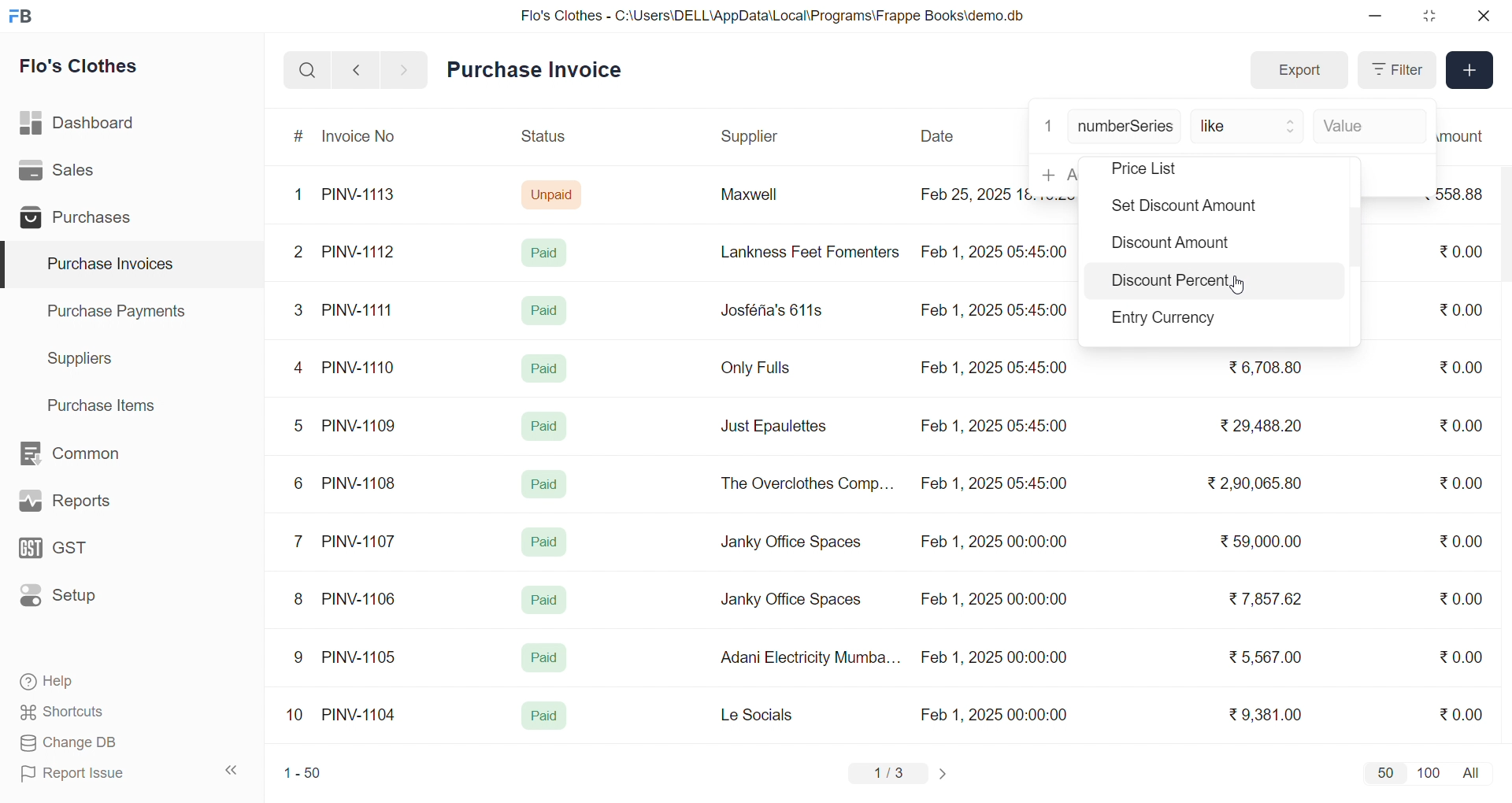 This screenshot has height=803, width=1512. What do you see at coordinates (1170, 320) in the screenshot?
I see `Entry Currency` at bounding box center [1170, 320].